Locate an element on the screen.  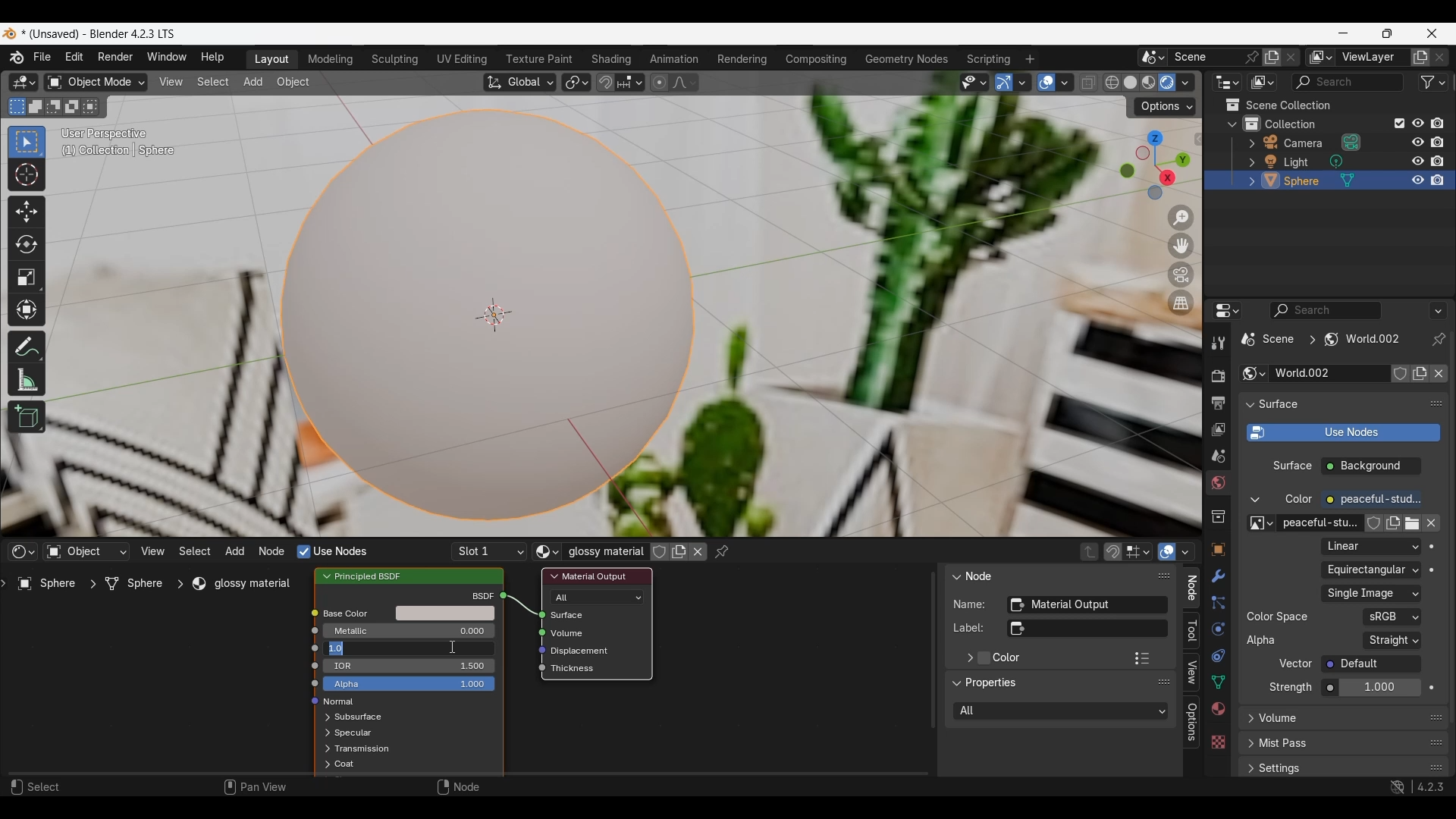
Vector is located at coordinates (1296, 664).